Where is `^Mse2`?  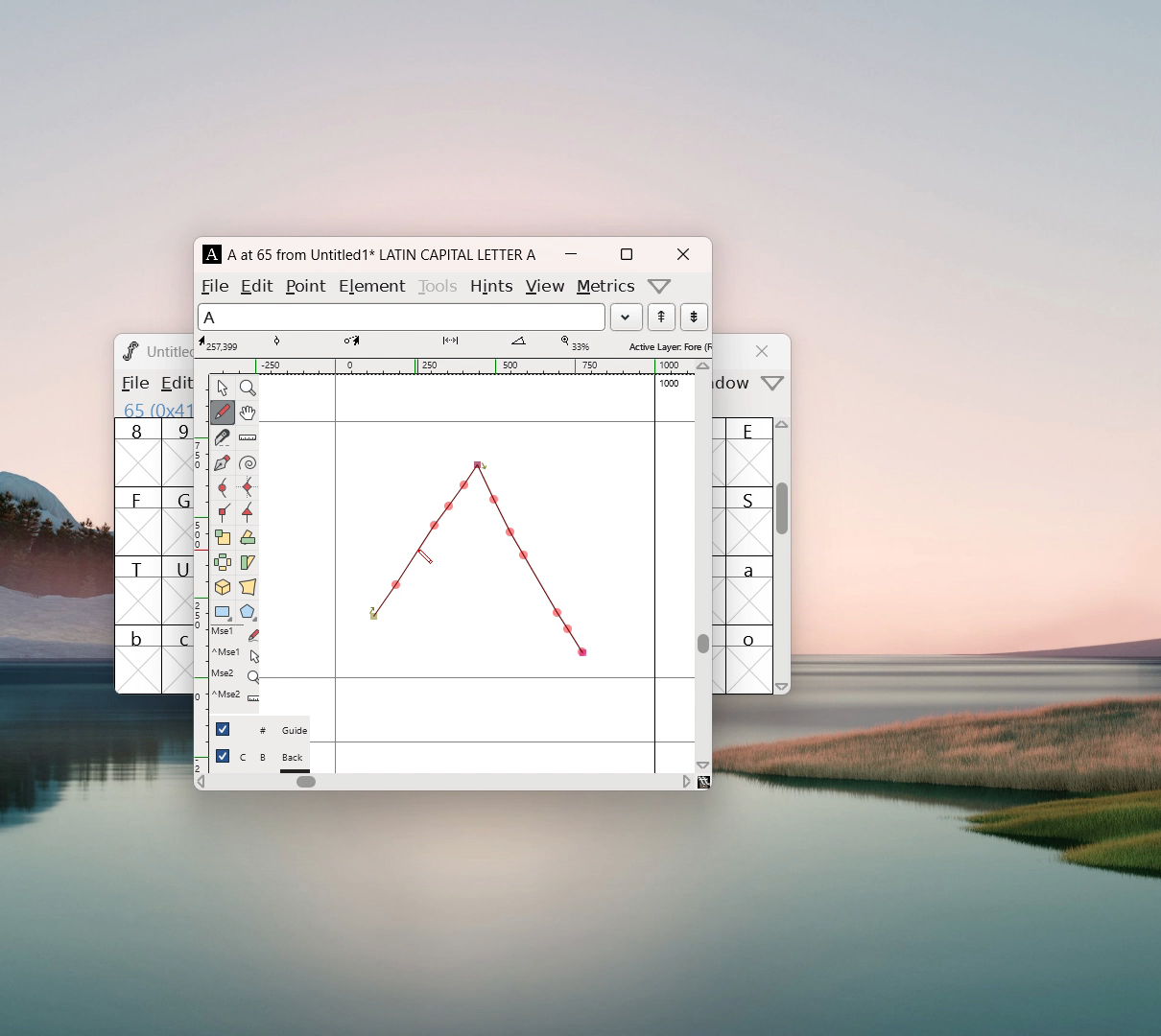 ^Mse2 is located at coordinates (235, 695).